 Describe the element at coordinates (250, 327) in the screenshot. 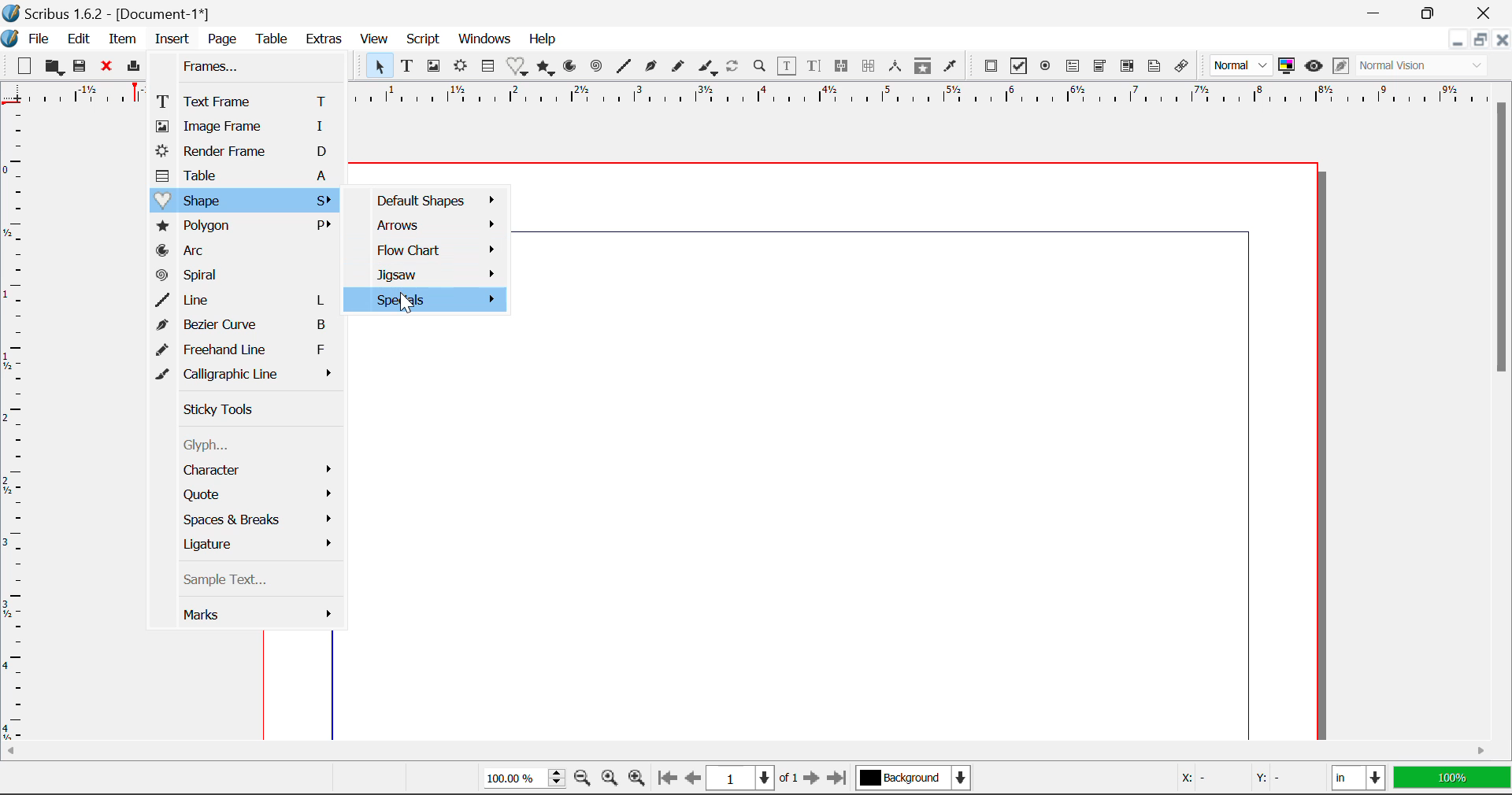

I see `Bezier Curve` at that location.